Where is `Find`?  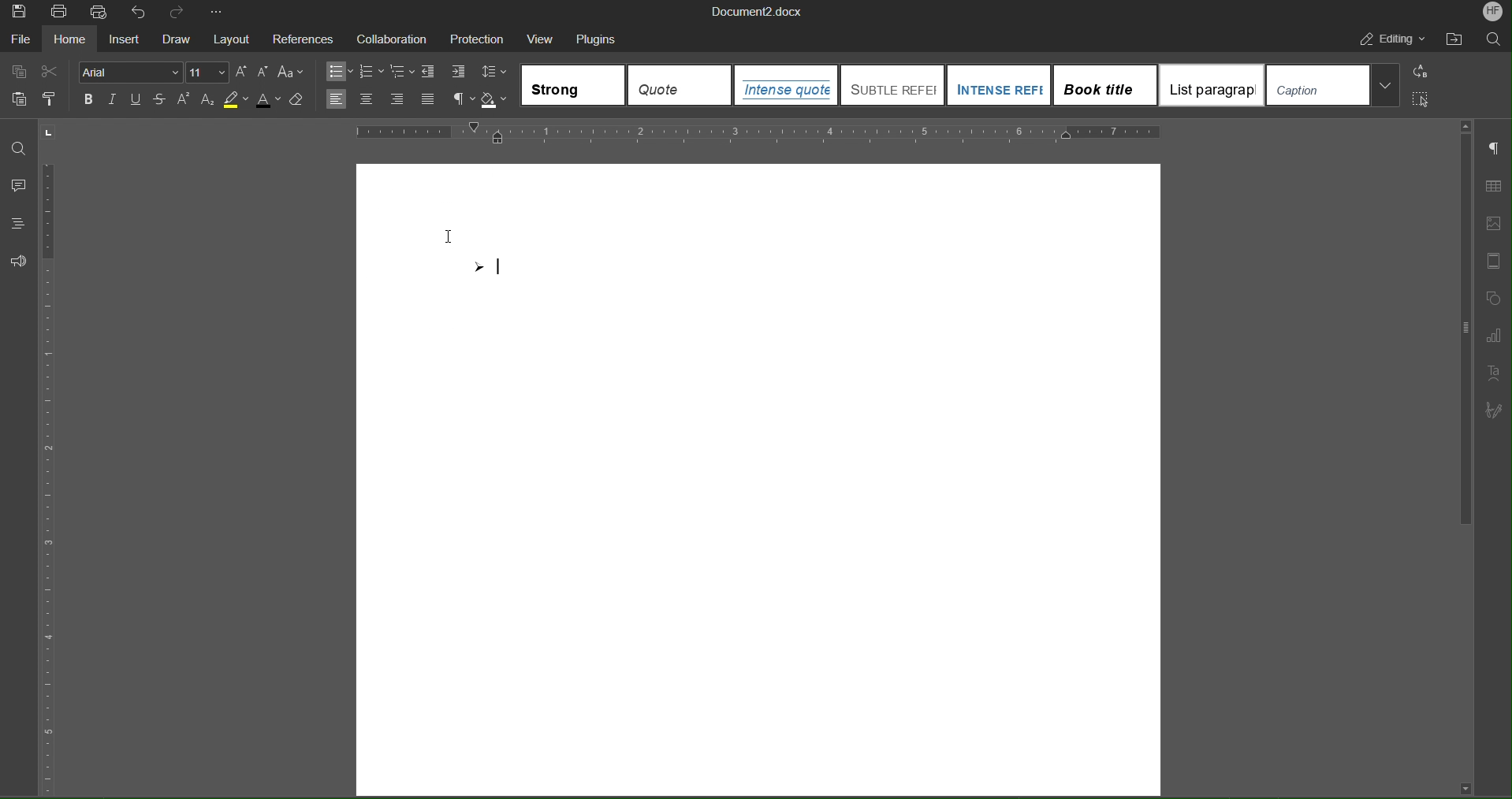 Find is located at coordinates (20, 147).